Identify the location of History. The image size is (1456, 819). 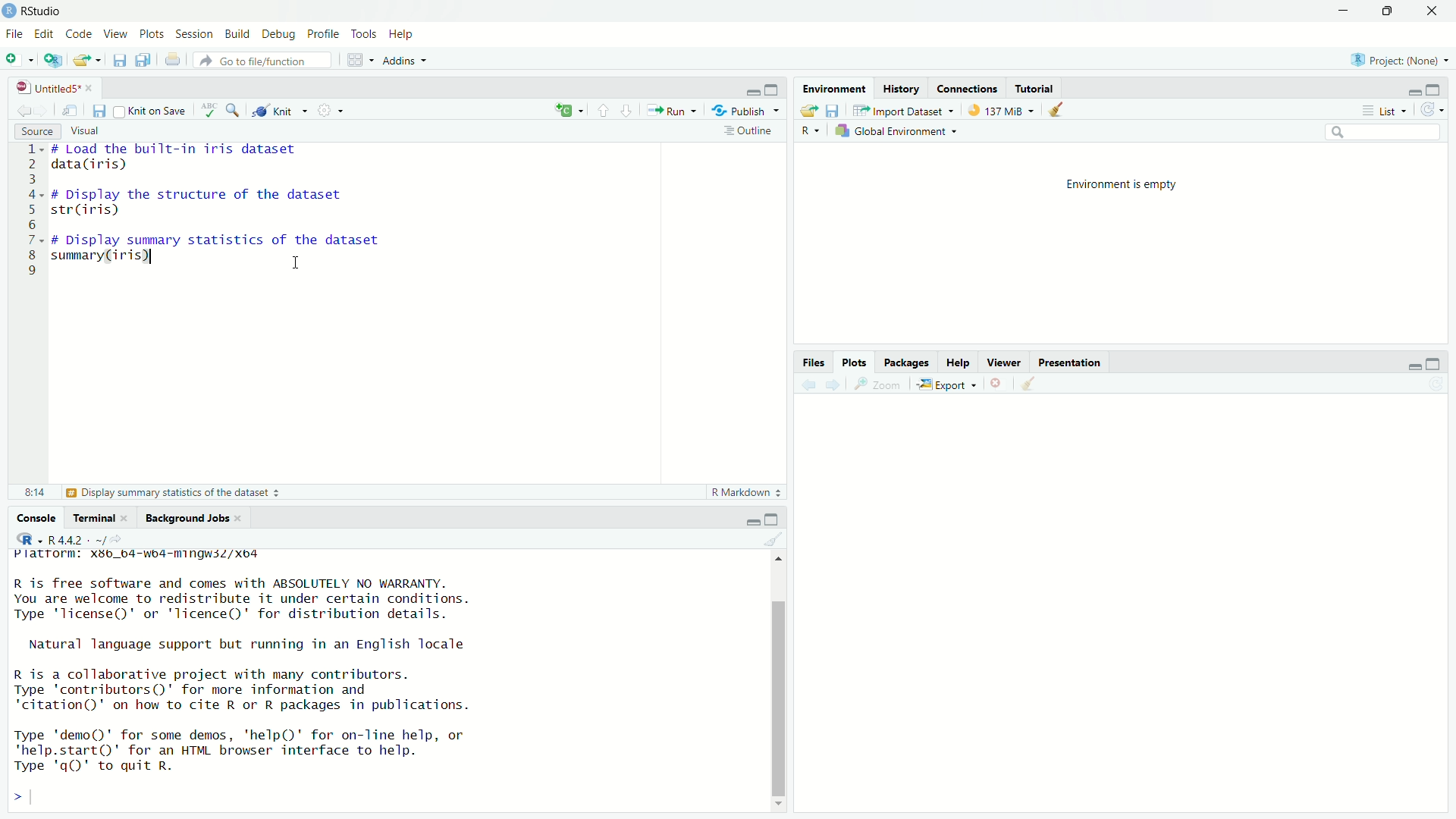
(900, 89).